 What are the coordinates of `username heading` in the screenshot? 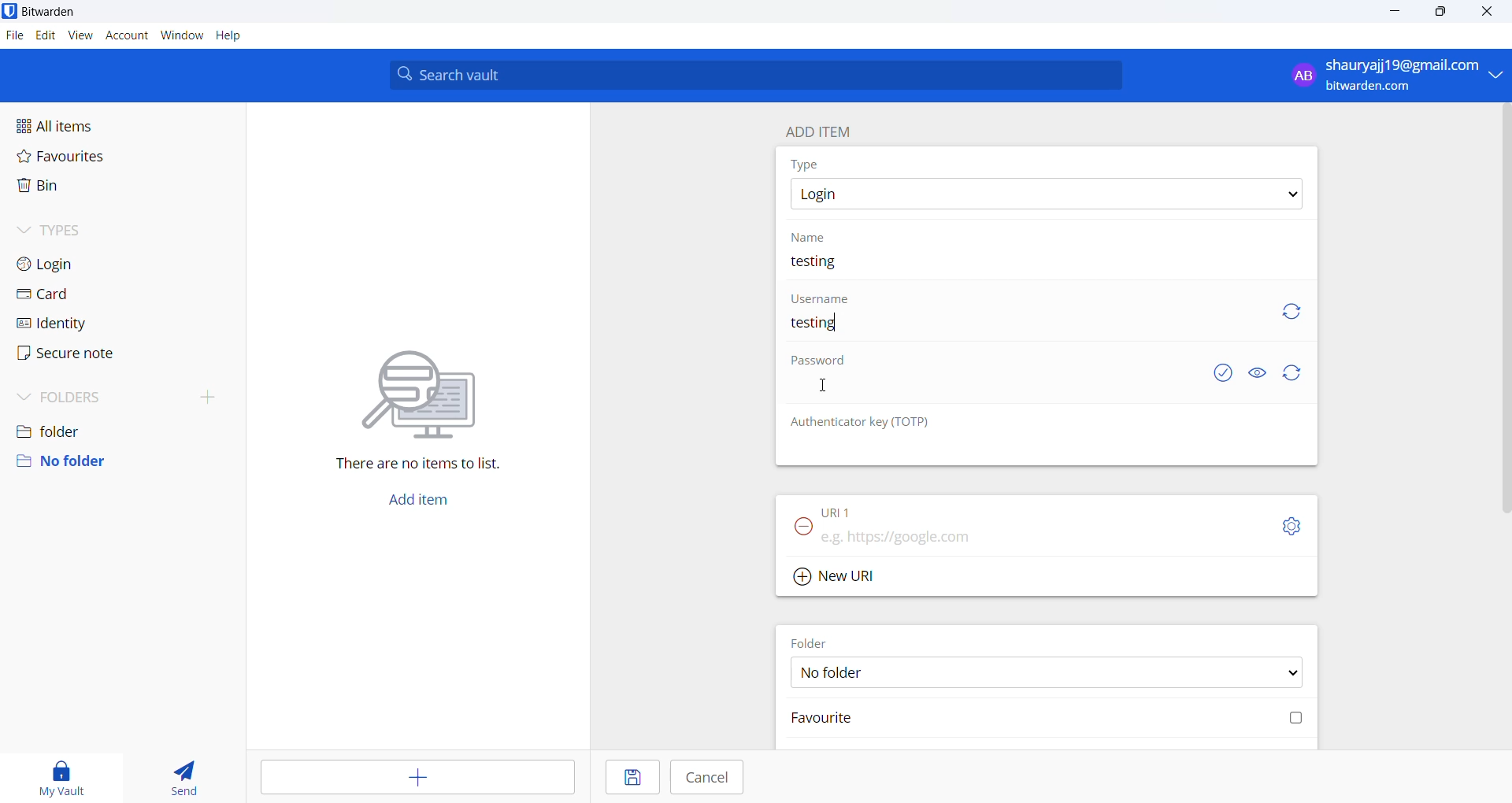 It's located at (821, 299).